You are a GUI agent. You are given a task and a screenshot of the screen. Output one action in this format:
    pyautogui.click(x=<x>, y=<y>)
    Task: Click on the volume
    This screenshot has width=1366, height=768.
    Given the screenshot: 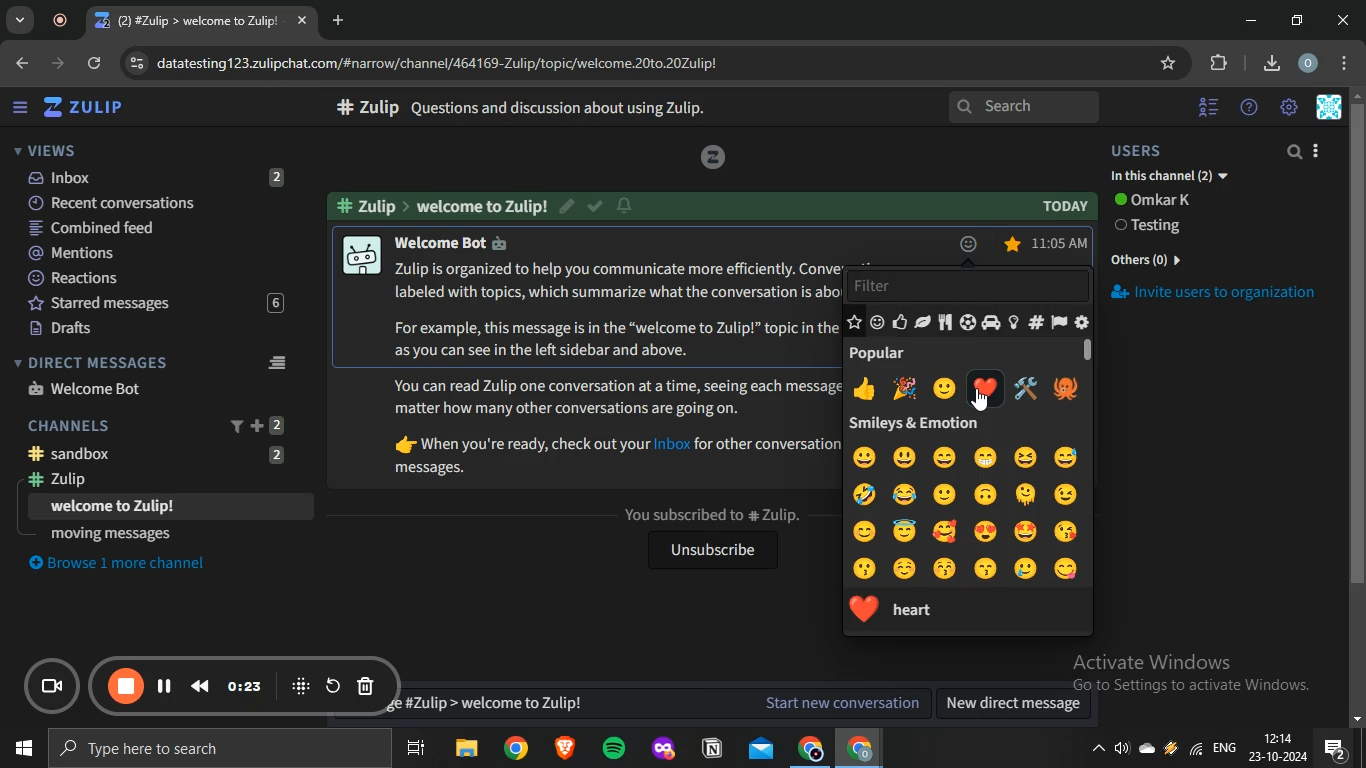 What is the action you would take?
    pyautogui.click(x=1123, y=752)
    